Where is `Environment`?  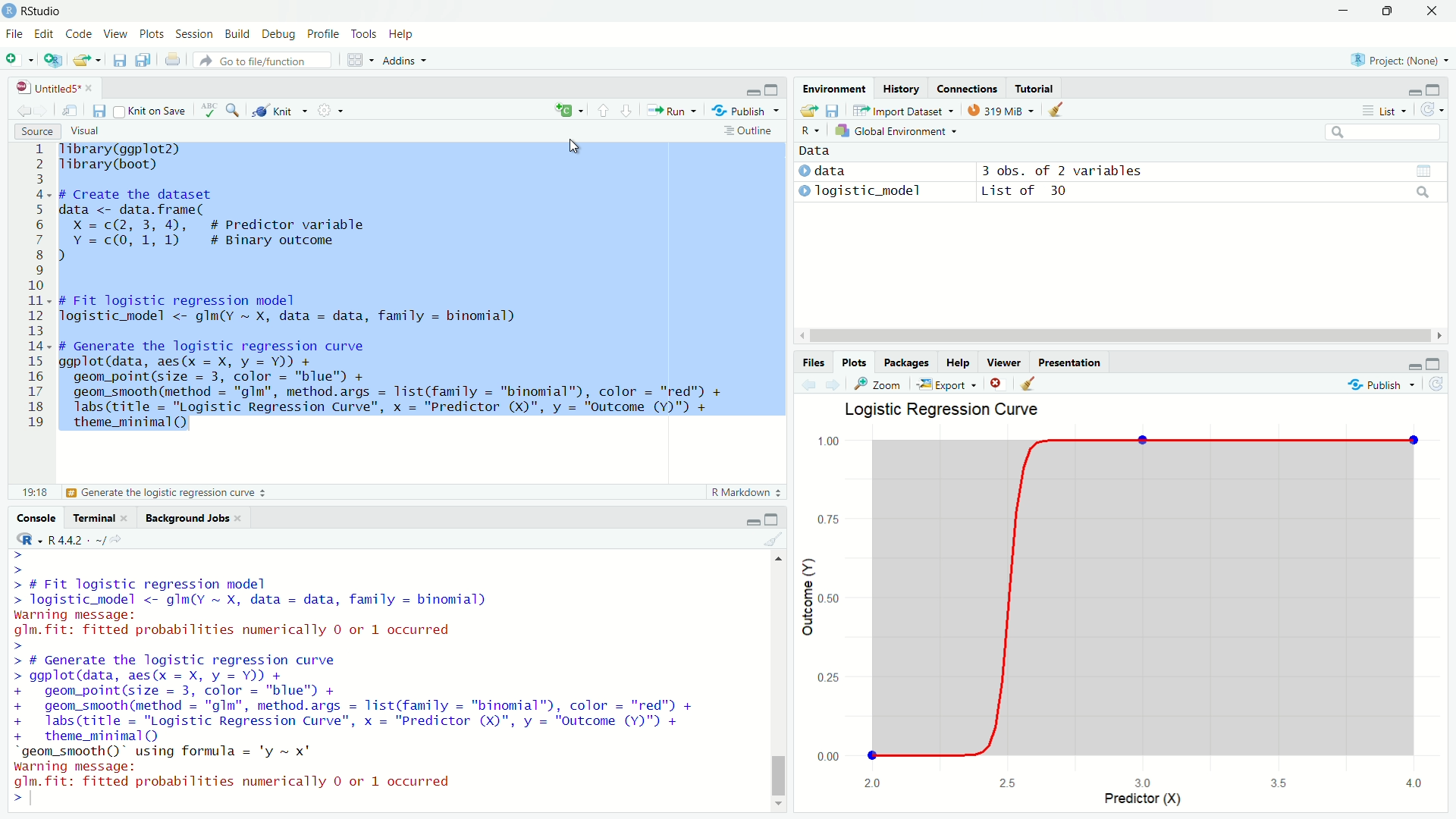 Environment is located at coordinates (834, 87).